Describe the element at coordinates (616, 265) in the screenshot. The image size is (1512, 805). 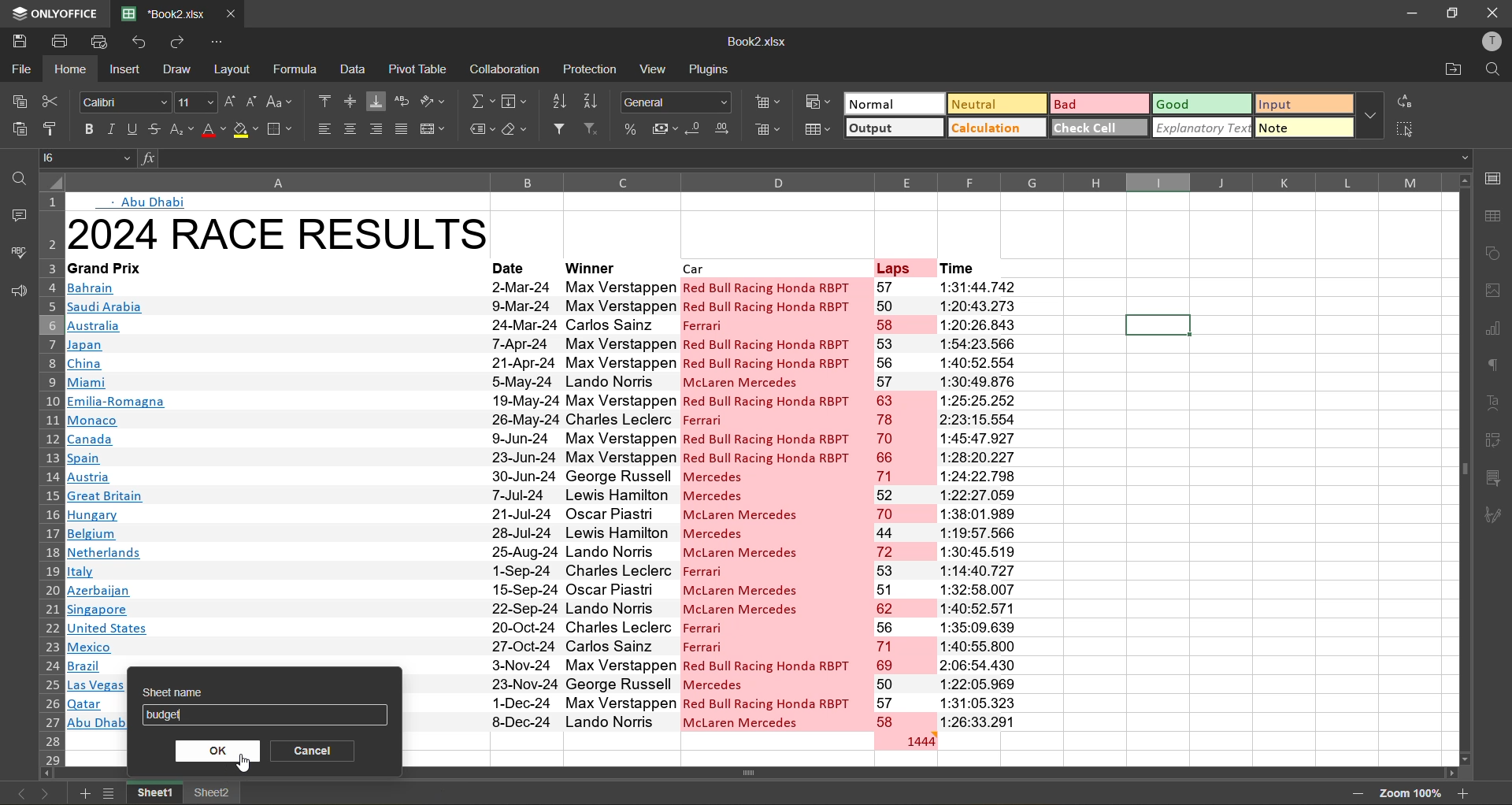
I see `winner` at that location.